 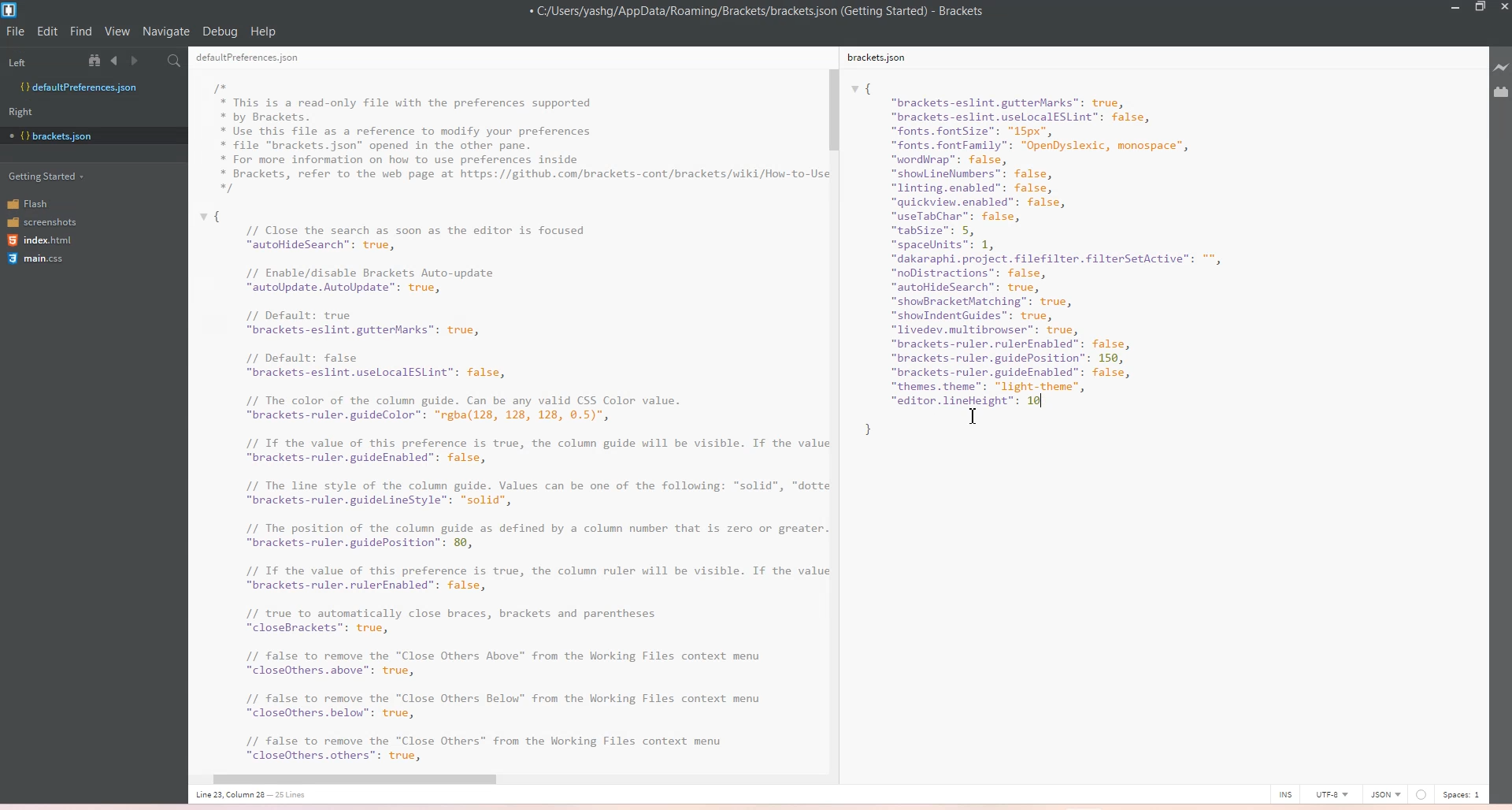 I want to click on Vertical scroll bar, so click(x=832, y=403).